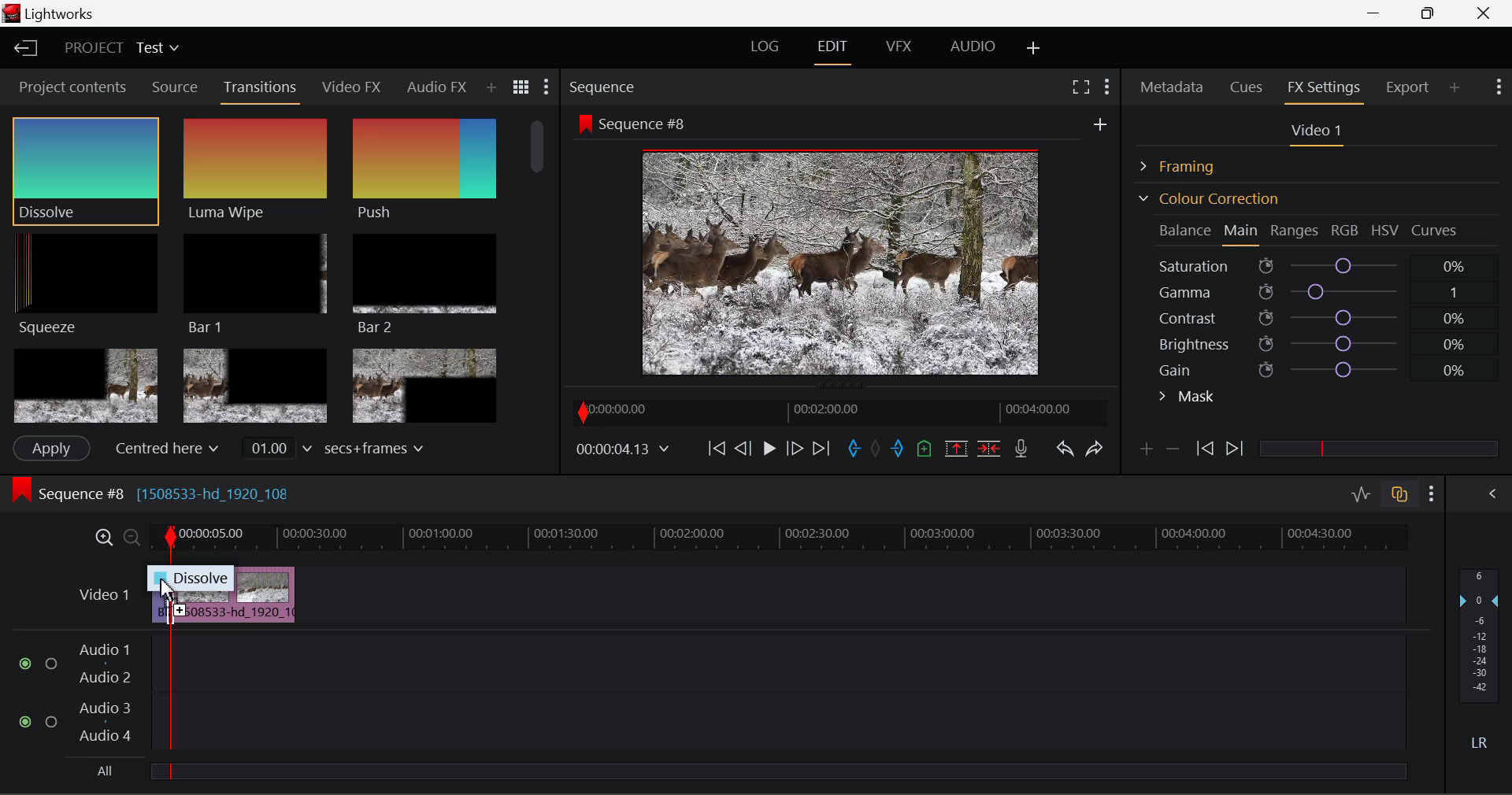  I want to click on Main Tab Open, so click(1242, 232).